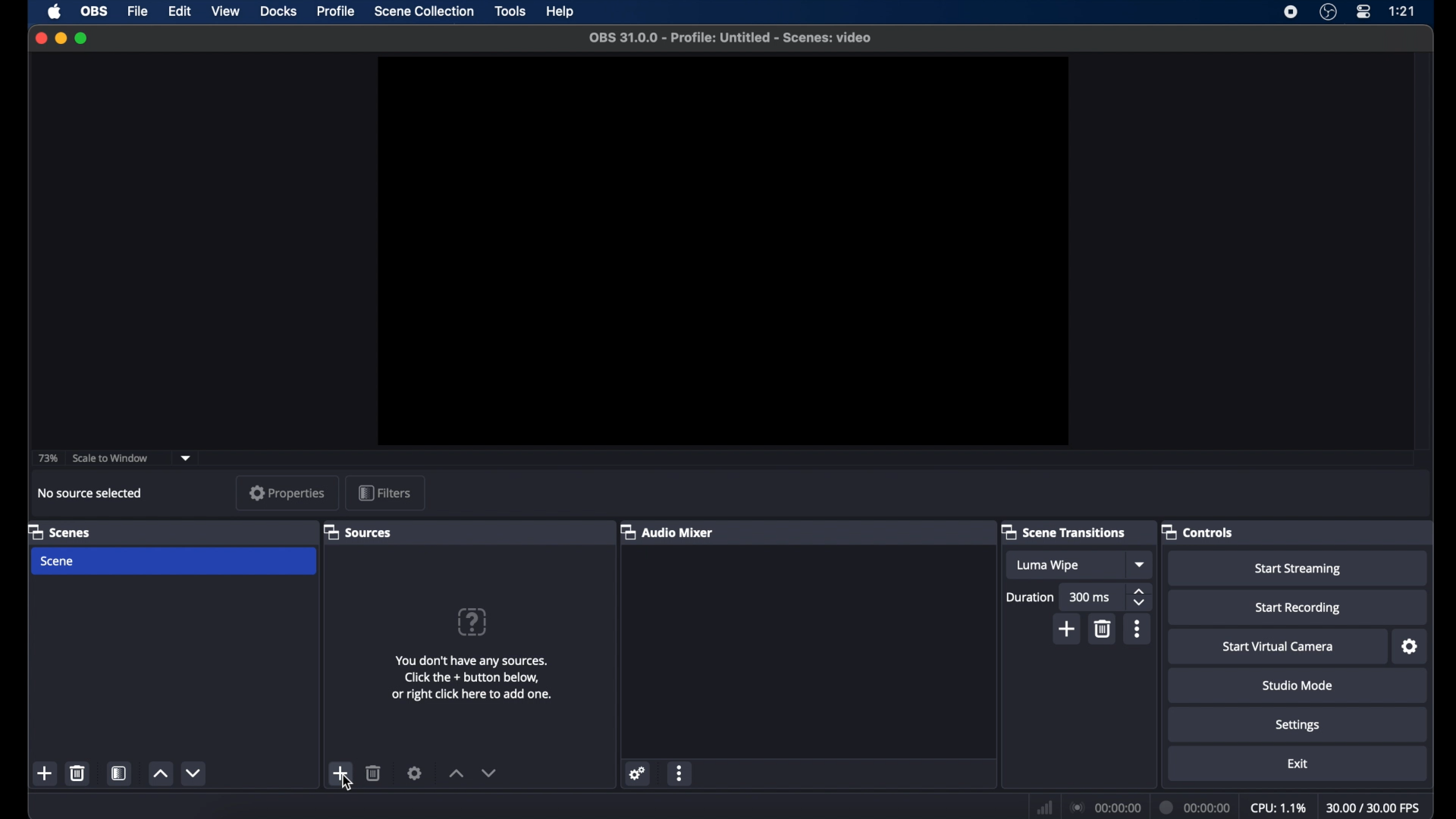 This screenshot has height=819, width=1456. Describe the element at coordinates (510, 11) in the screenshot. I see `tools` at that location.